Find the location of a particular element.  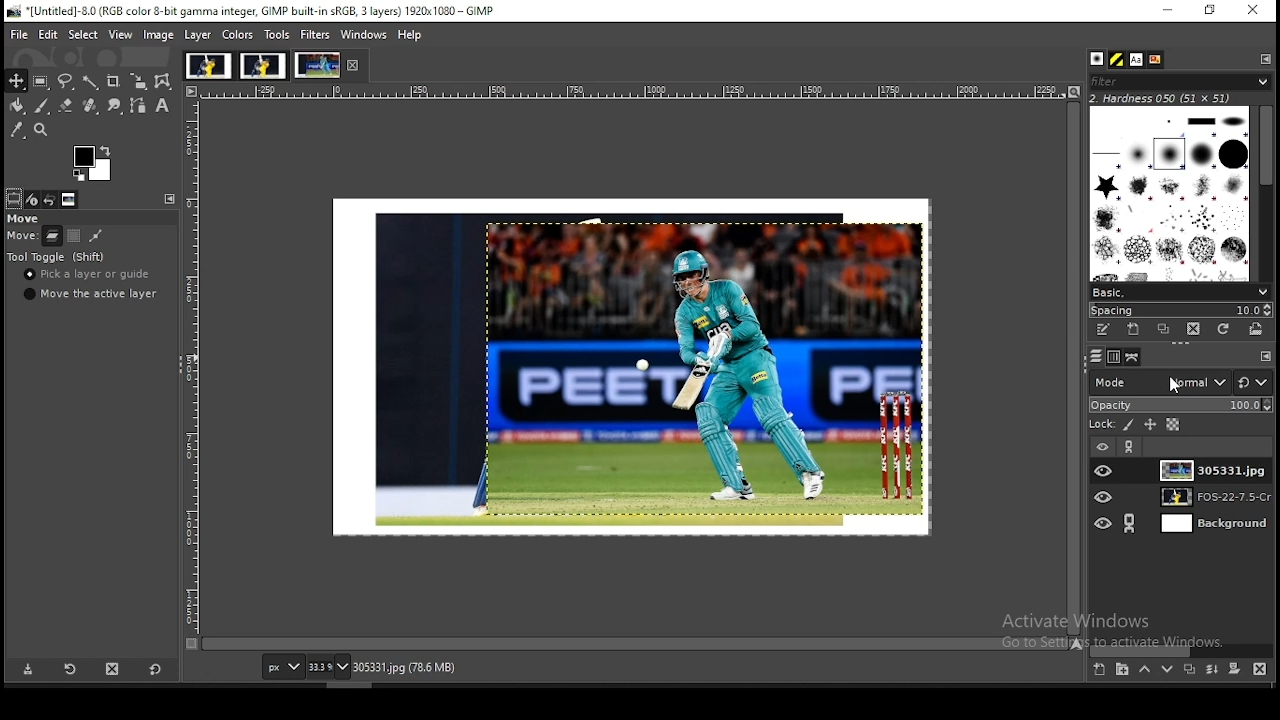

refresh brushes is located at coordinates (1224, 329).